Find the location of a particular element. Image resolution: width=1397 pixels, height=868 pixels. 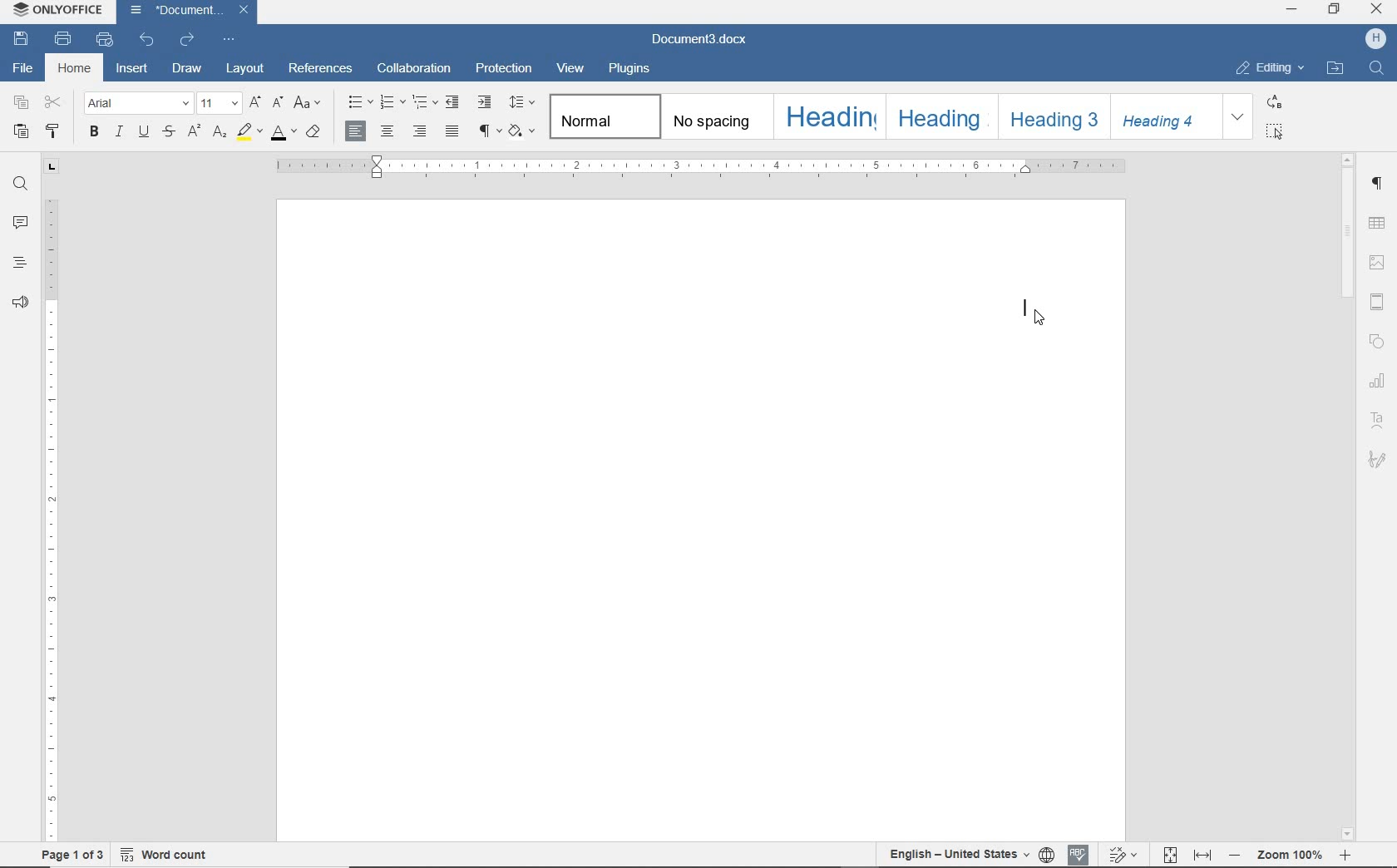

QUICK PRINT is located at coordinates (107, 40).